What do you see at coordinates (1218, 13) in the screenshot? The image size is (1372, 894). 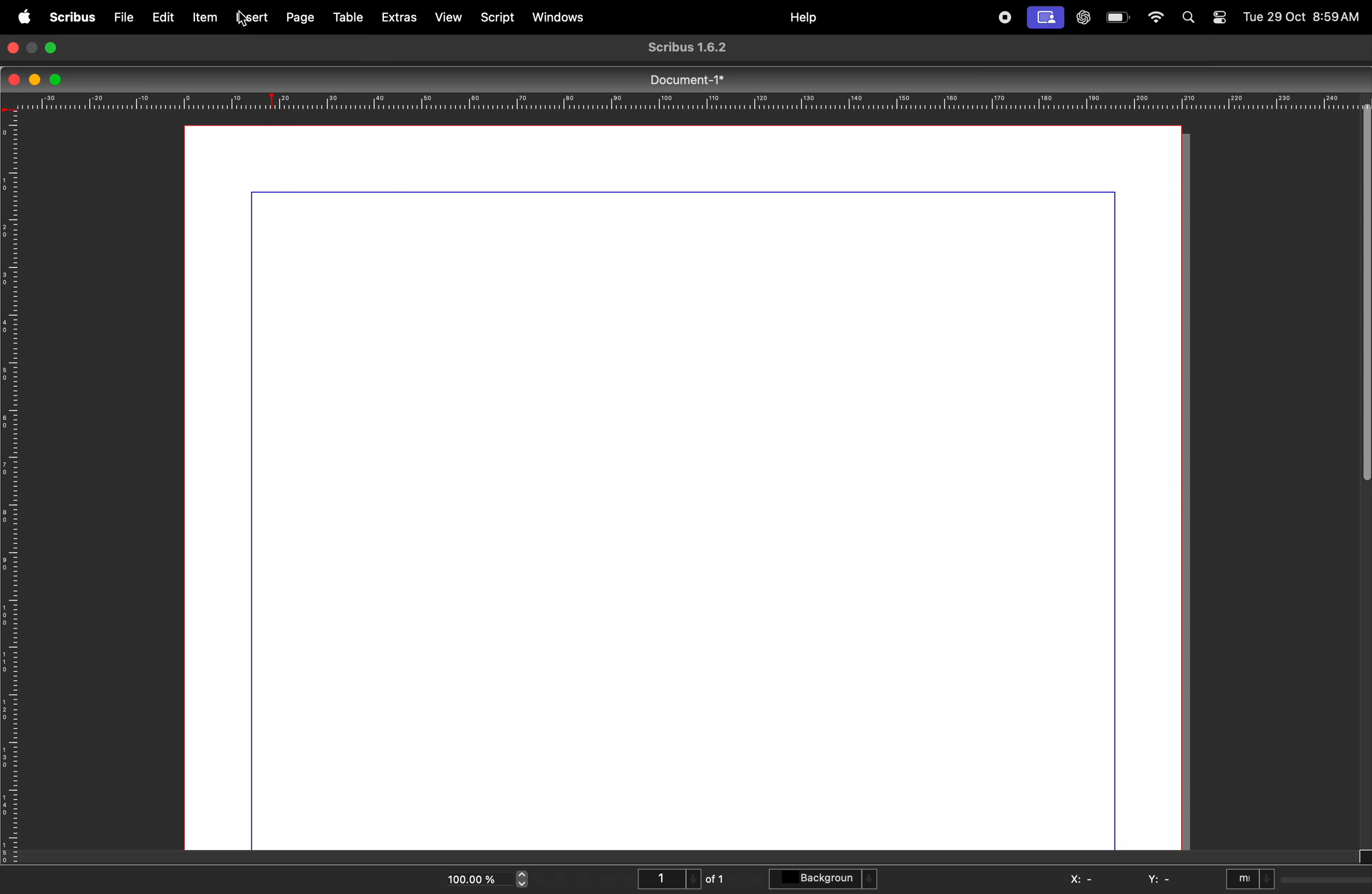 I see `toggle` at bounding box center [1218, 13].